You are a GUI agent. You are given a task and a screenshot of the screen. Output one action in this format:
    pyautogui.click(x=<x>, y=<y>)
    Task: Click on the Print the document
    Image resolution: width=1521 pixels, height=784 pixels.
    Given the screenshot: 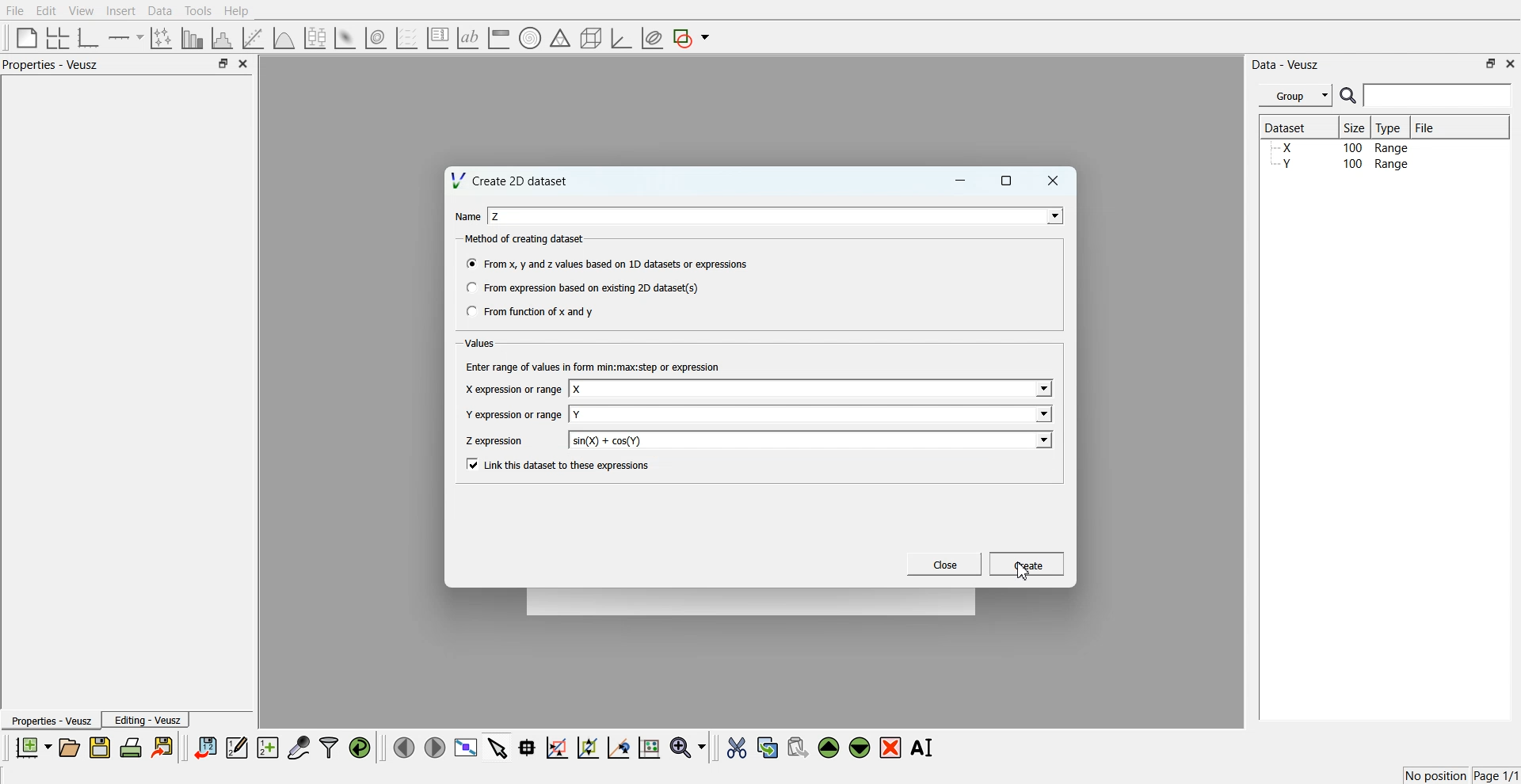 What is the action you would take?
    pyautogui.click(x=130, y=747)
    